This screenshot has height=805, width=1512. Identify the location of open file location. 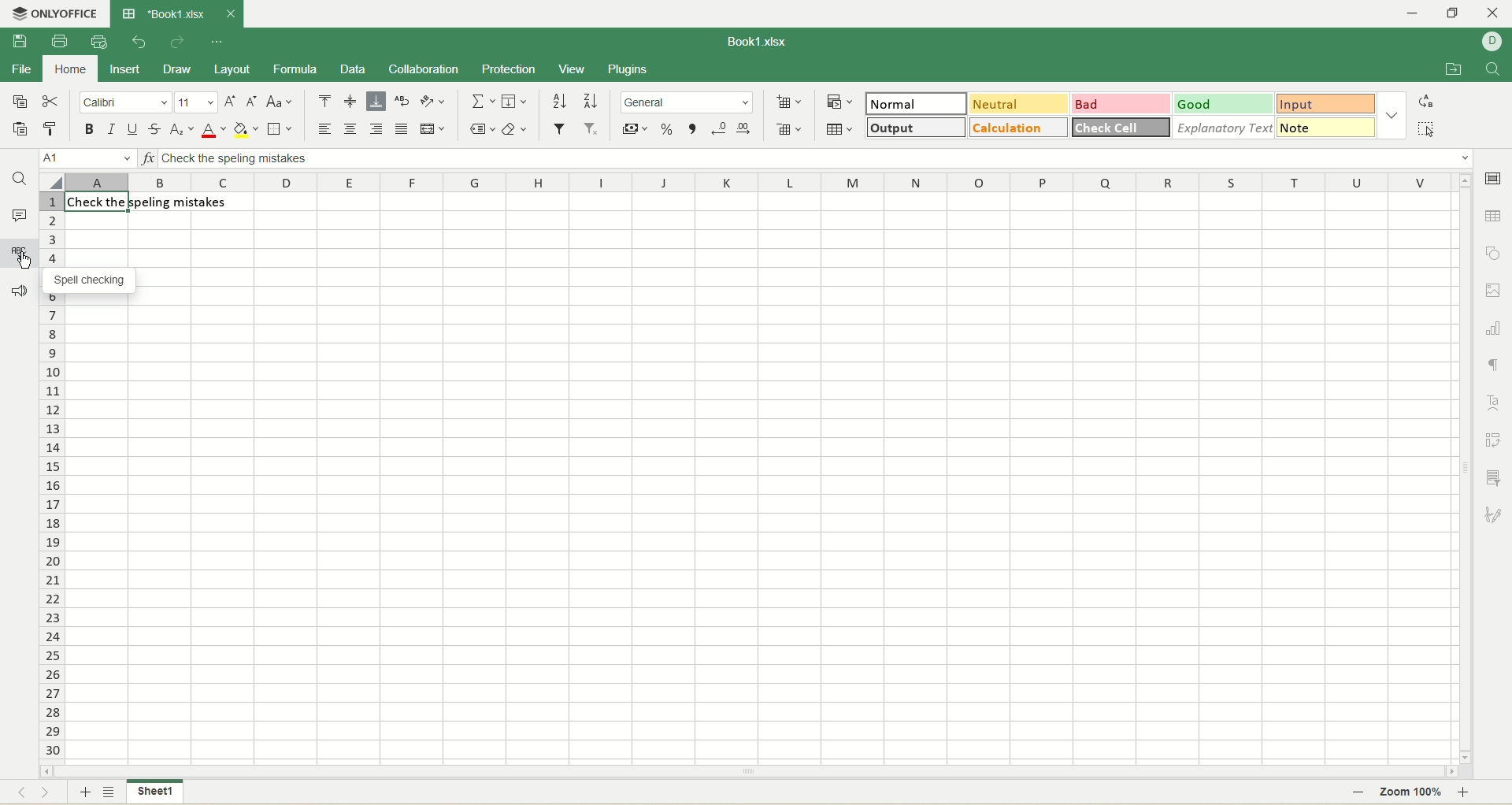
(1453, 71).